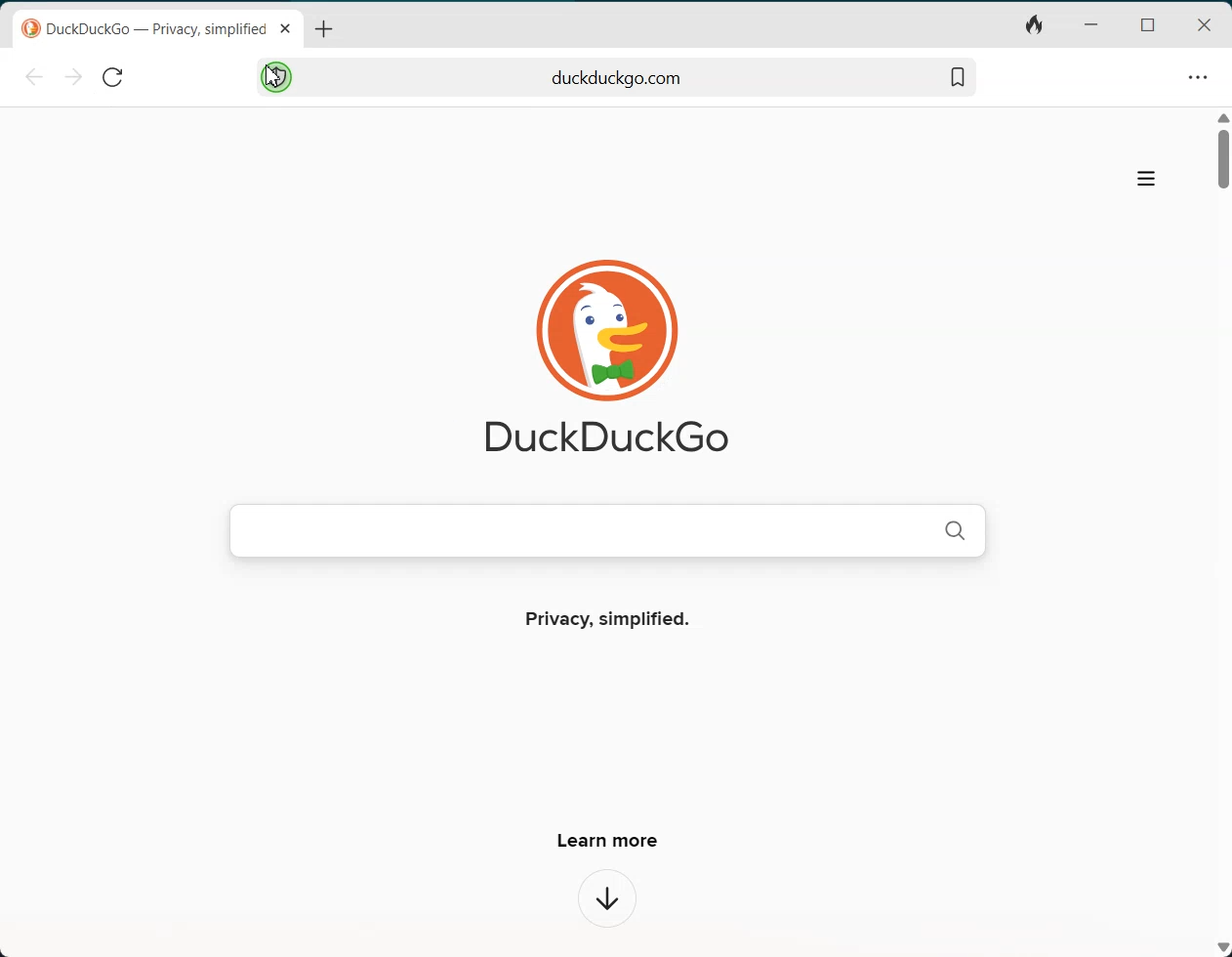  I want to click on Meatball tools, so click(1197, 76).